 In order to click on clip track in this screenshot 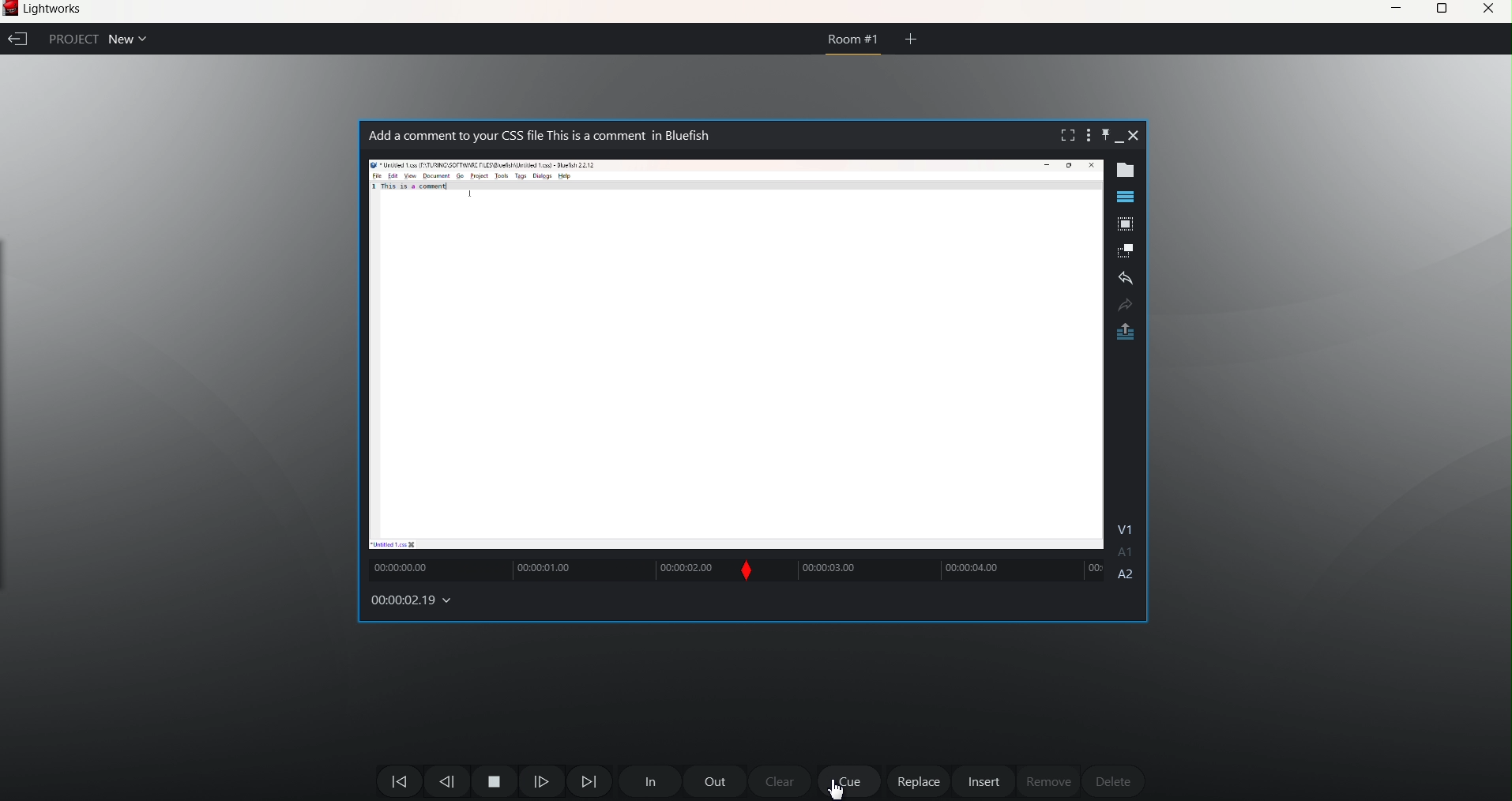, I will do `click(544, 569)`.